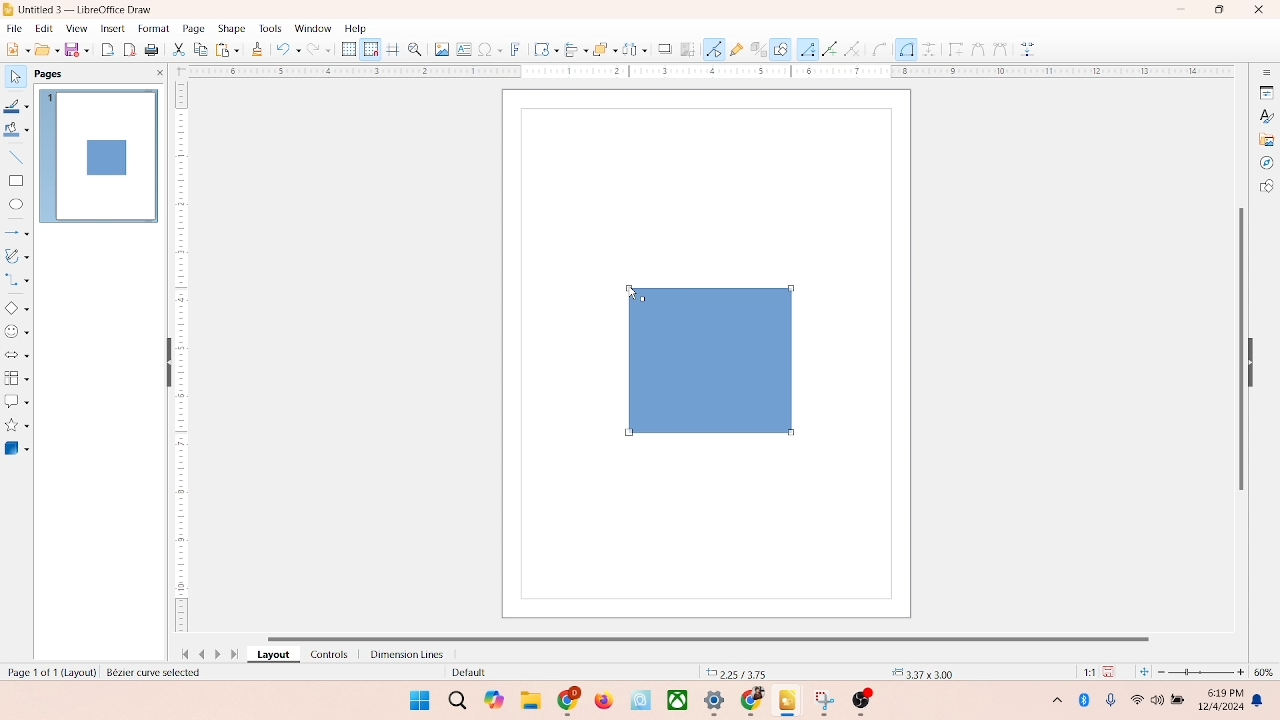 This screenshot has height=720, width=1280. I want to click on undo, so click(288, 51).